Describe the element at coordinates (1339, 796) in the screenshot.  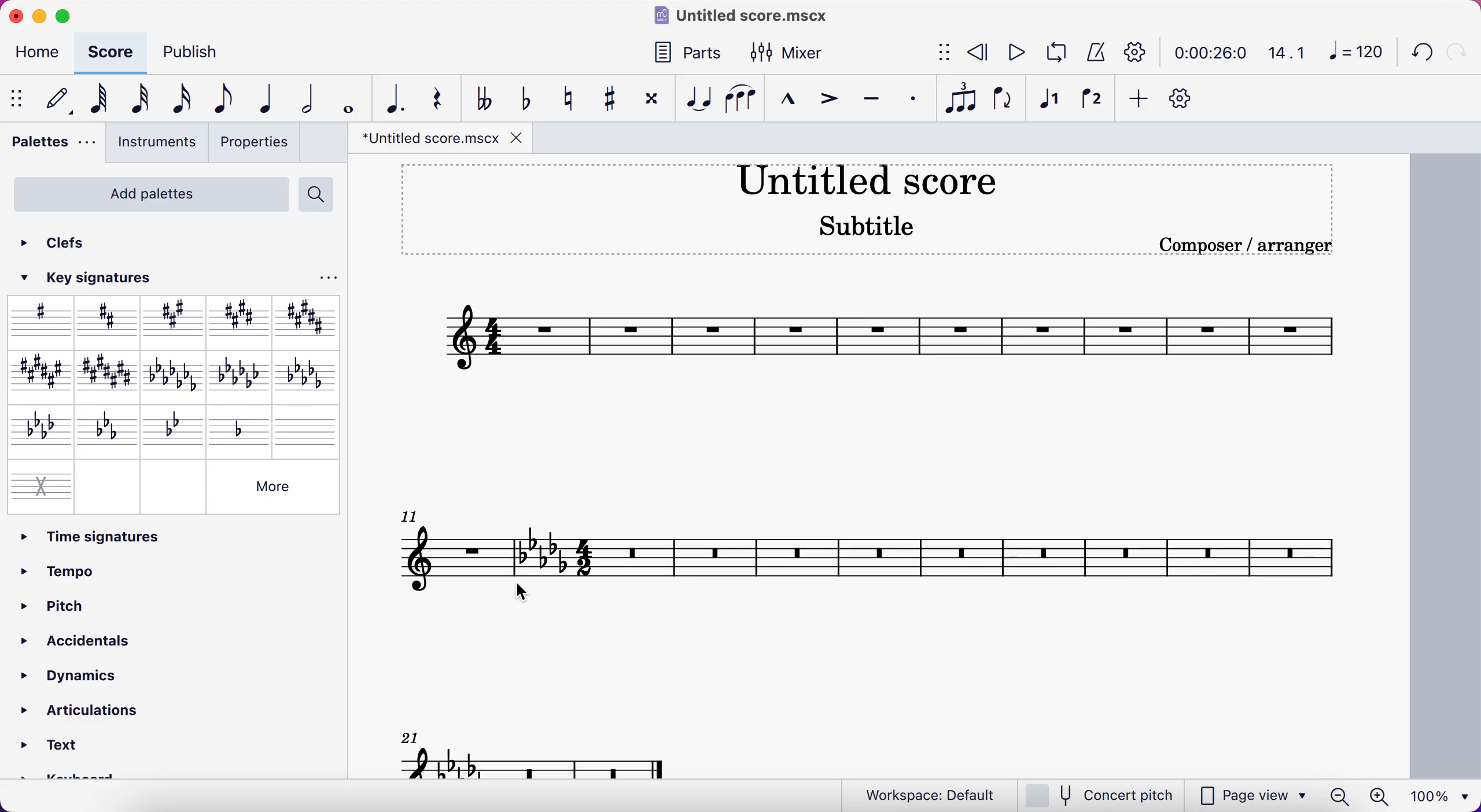
I see `zoom out` at that location.